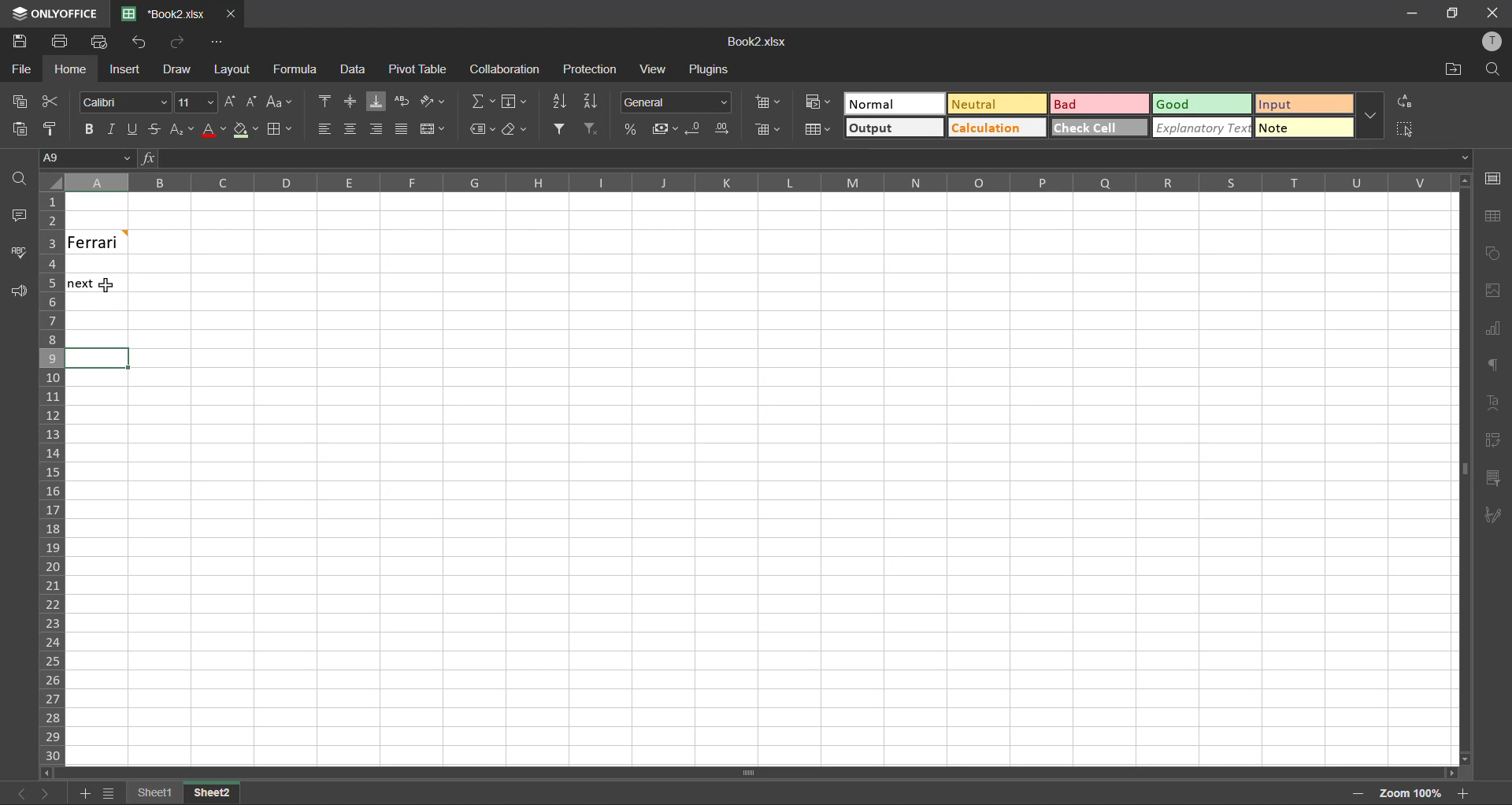  Describe the element at coordinates (1493, 178) in the screenshot. I see `cell settings` at that location.